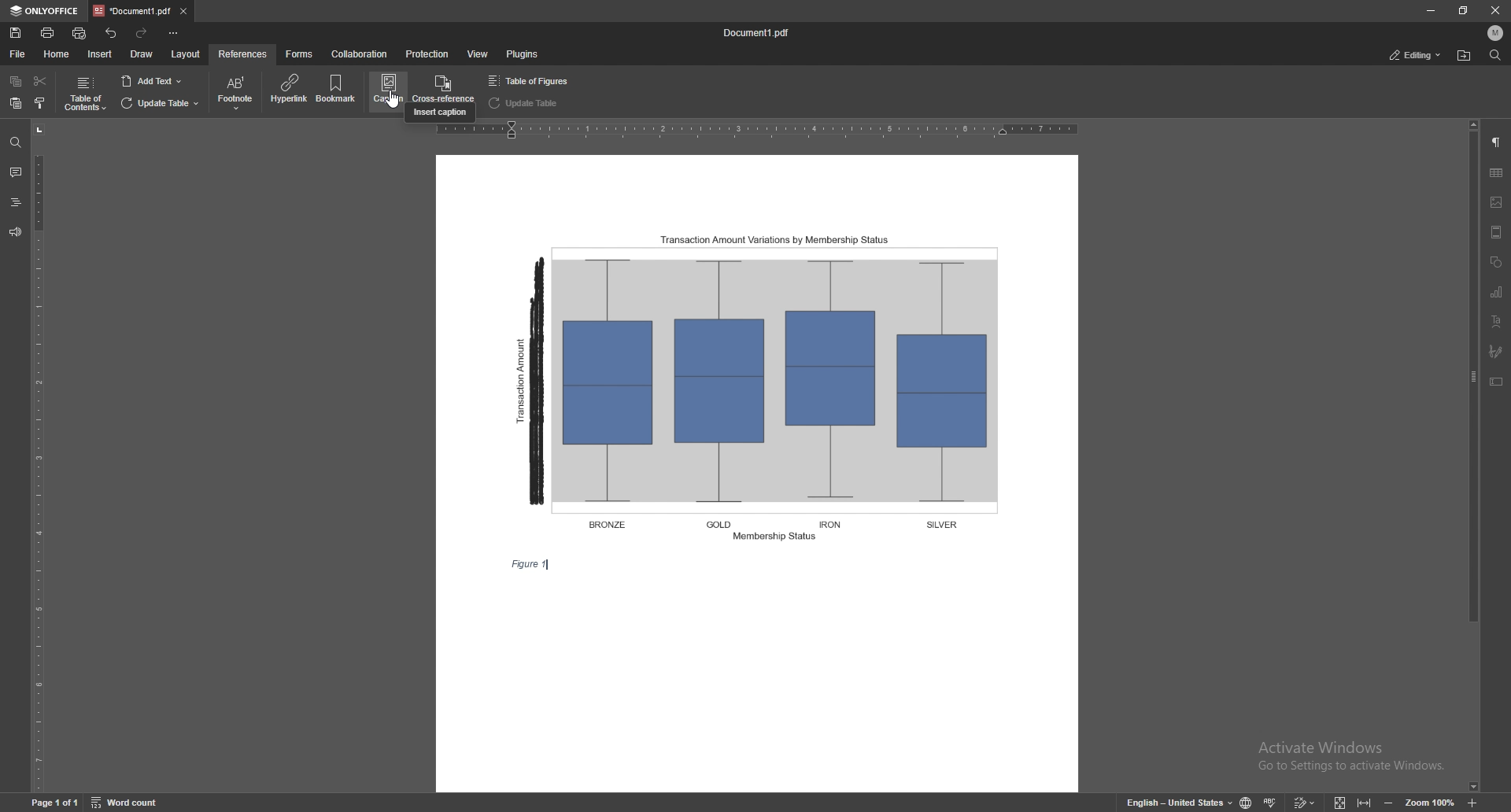 Image resolution: width=1511 pixels, height=812 pixels. Describe the element at coordinates (160, 104) in the screenshot. I see `update table` at that location.